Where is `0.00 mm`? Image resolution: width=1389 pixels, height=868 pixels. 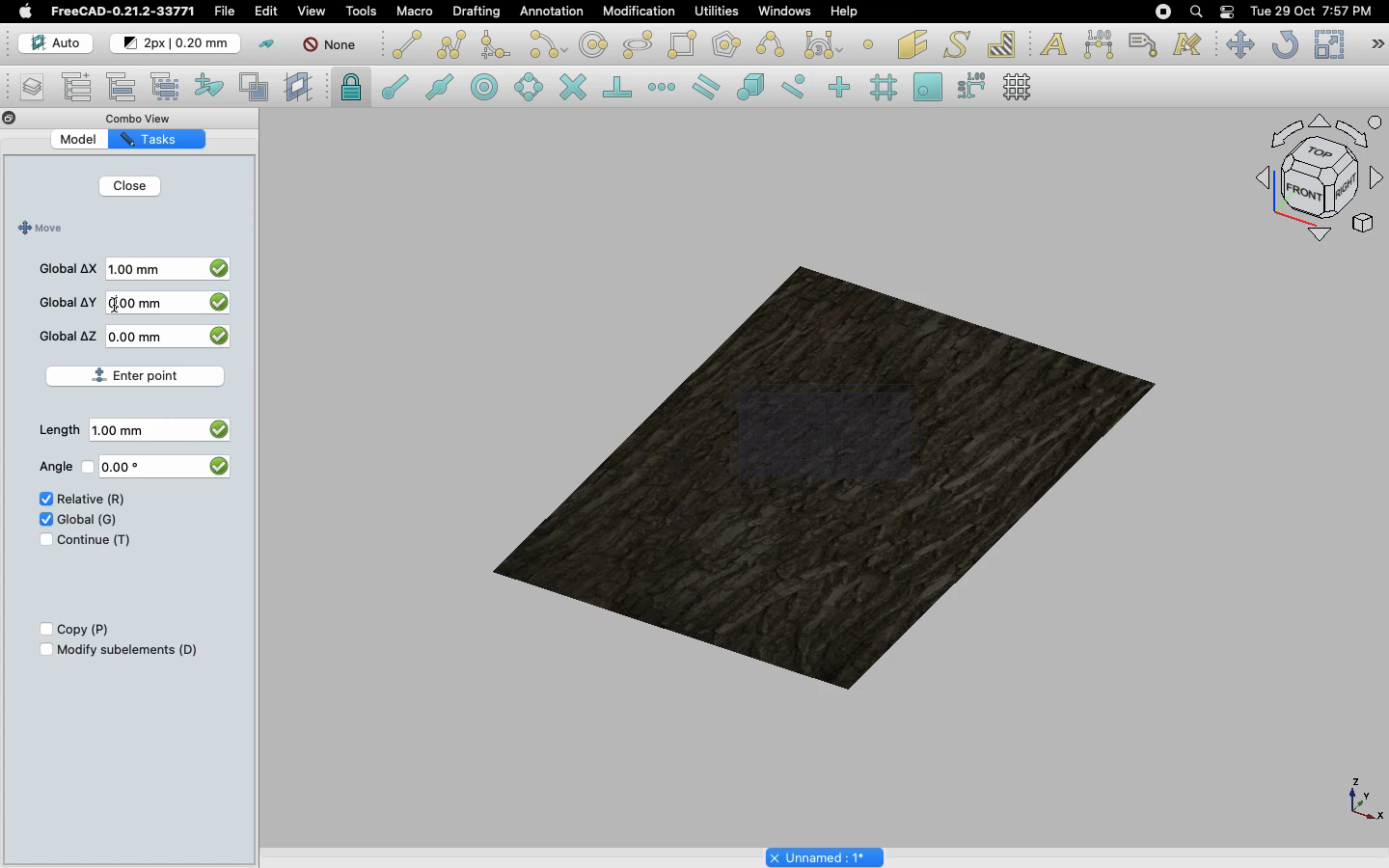
0.00 mm is located at coordinates (144, 336).